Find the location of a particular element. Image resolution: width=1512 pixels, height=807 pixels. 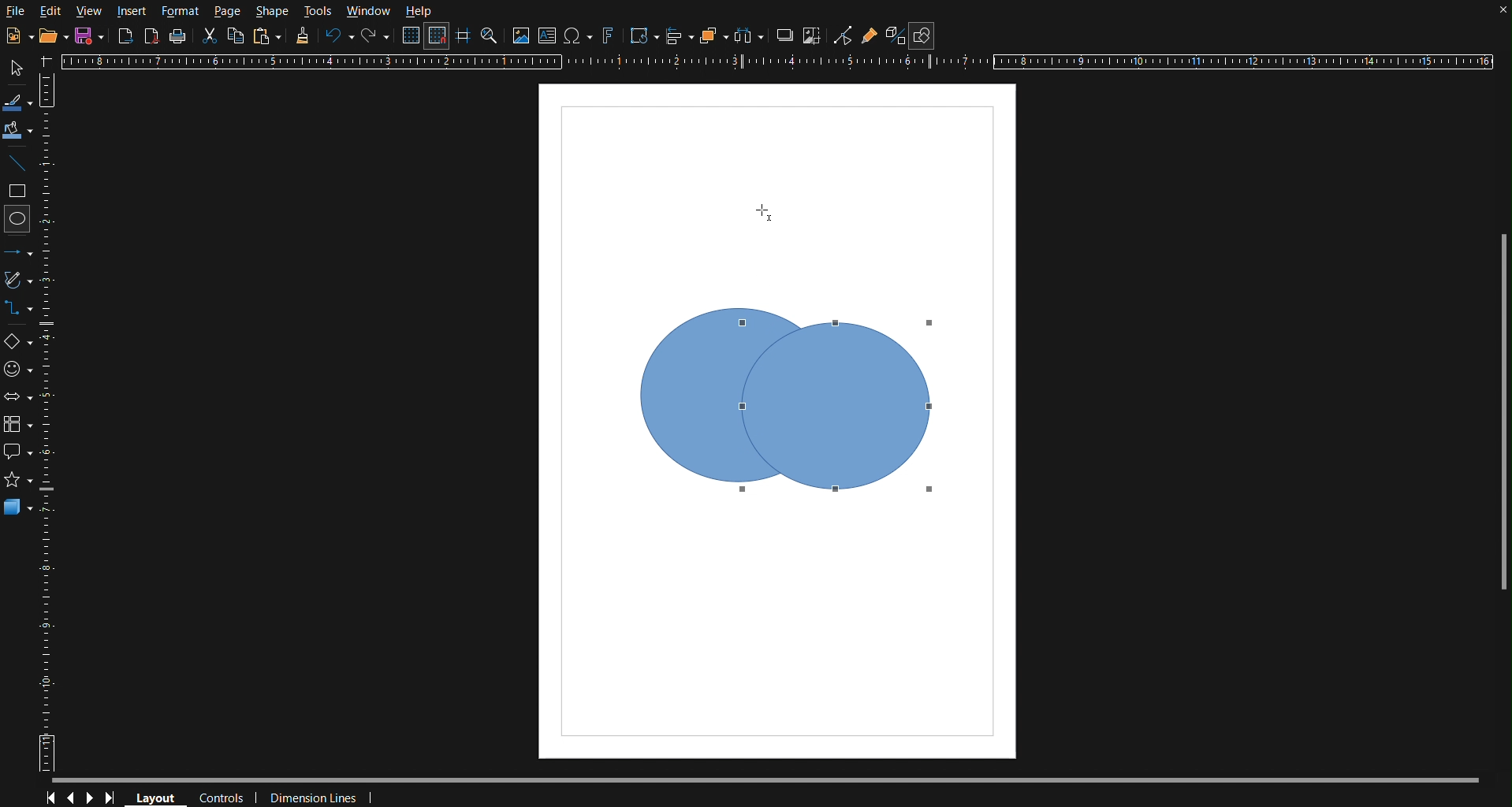

Shape is located at coordinates (272, 12).